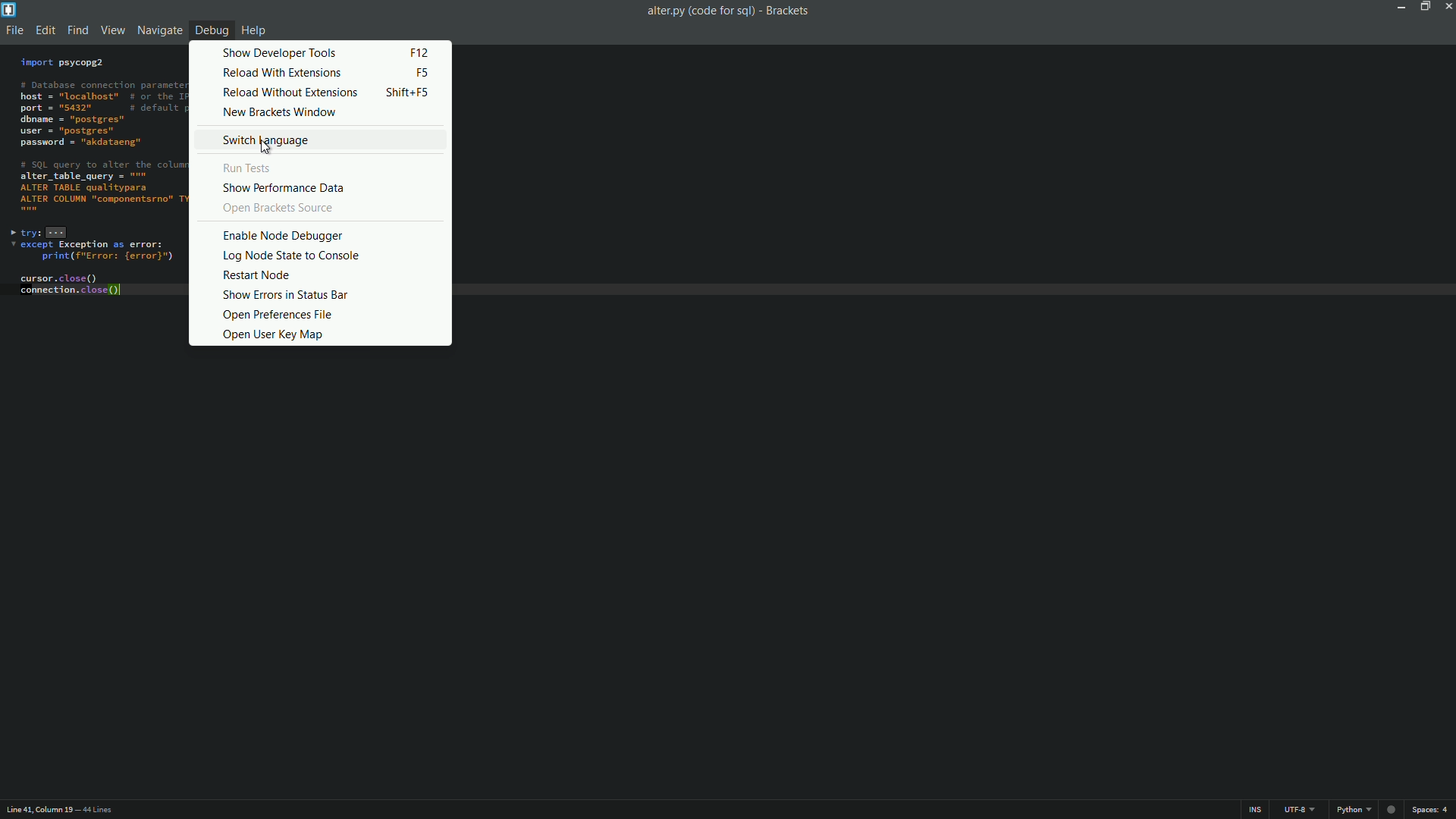 The height and width of the screenshot is (819, 1456). Describe the element at coordinates (284, 111) in the screenshot. I see `New brackets window` at that location.